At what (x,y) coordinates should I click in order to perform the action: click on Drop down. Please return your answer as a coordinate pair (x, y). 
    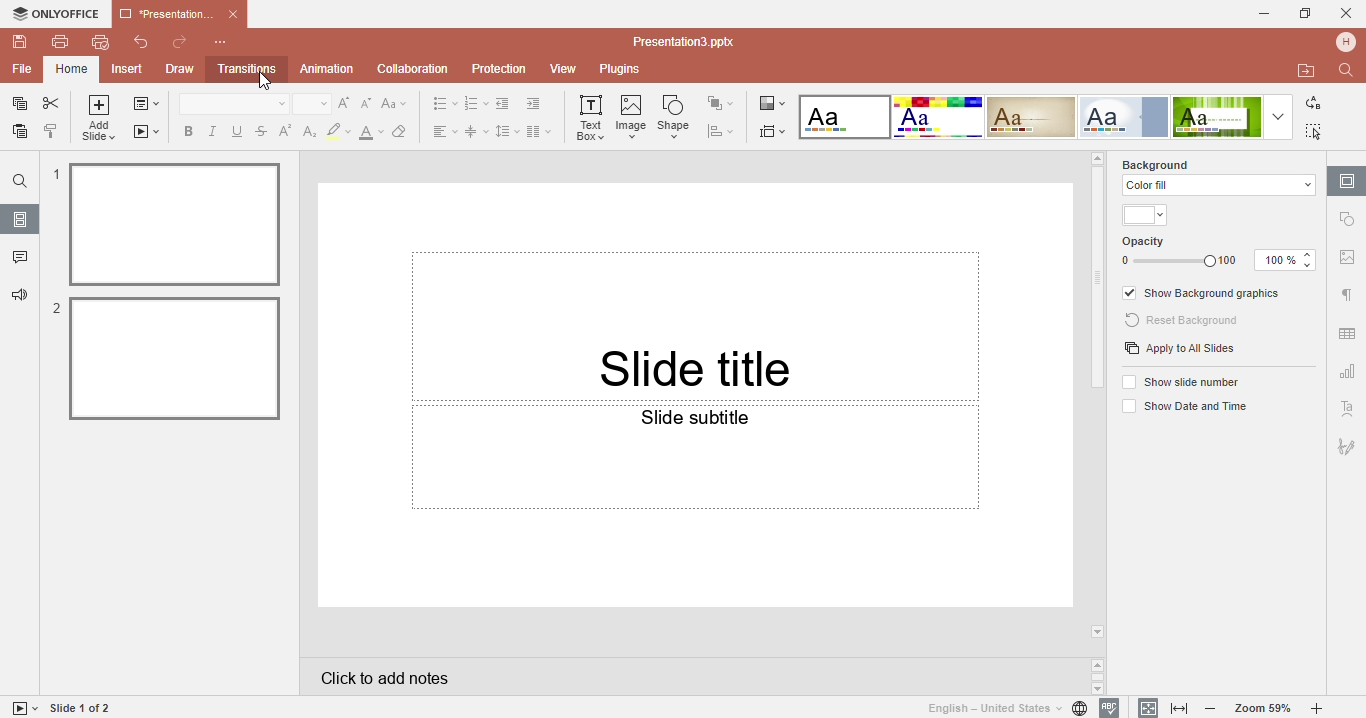
    Looking at the image, I should click on (1277, 117).